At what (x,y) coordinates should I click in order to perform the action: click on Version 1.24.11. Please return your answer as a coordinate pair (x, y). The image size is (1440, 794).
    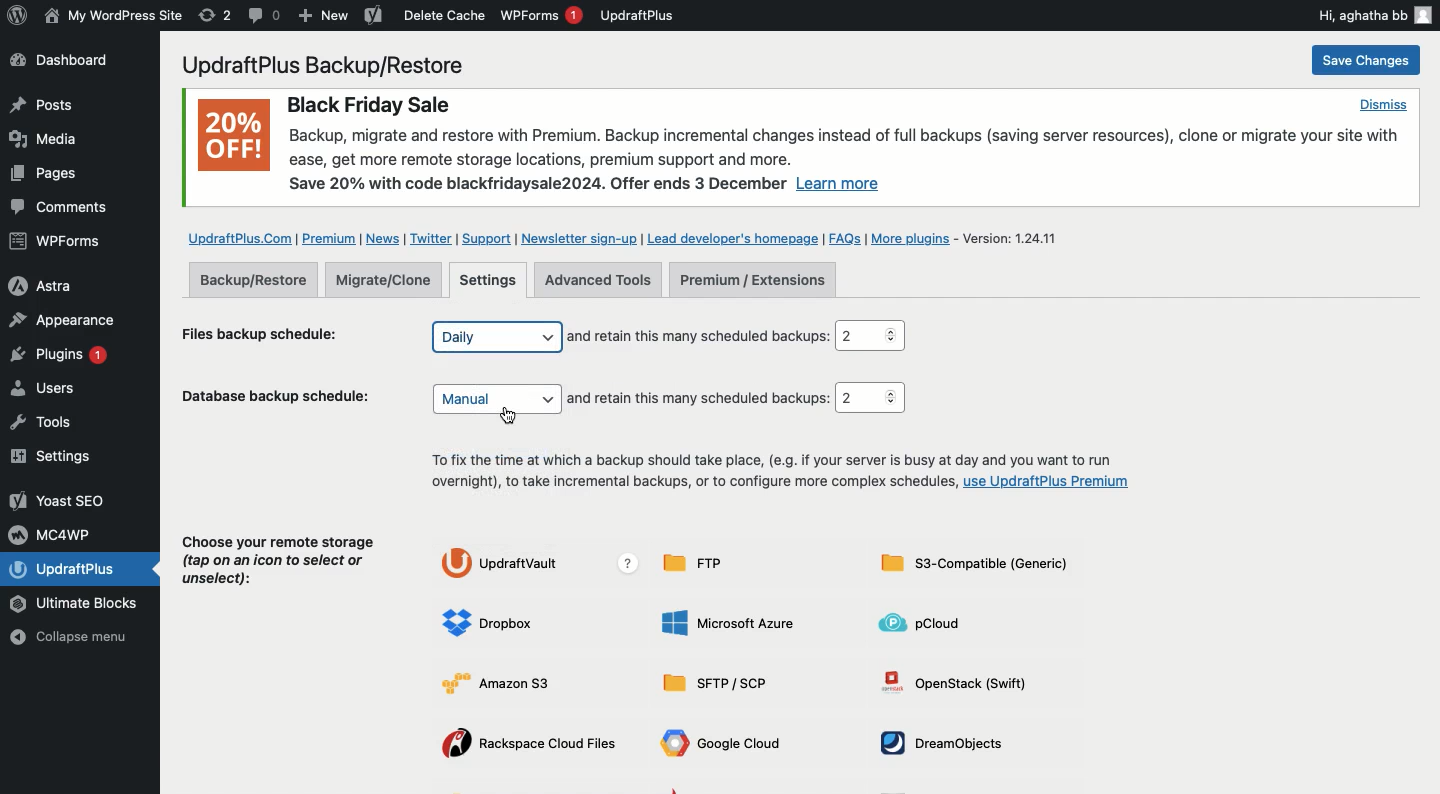
    Looking at the image, I should click on (1018, 237).